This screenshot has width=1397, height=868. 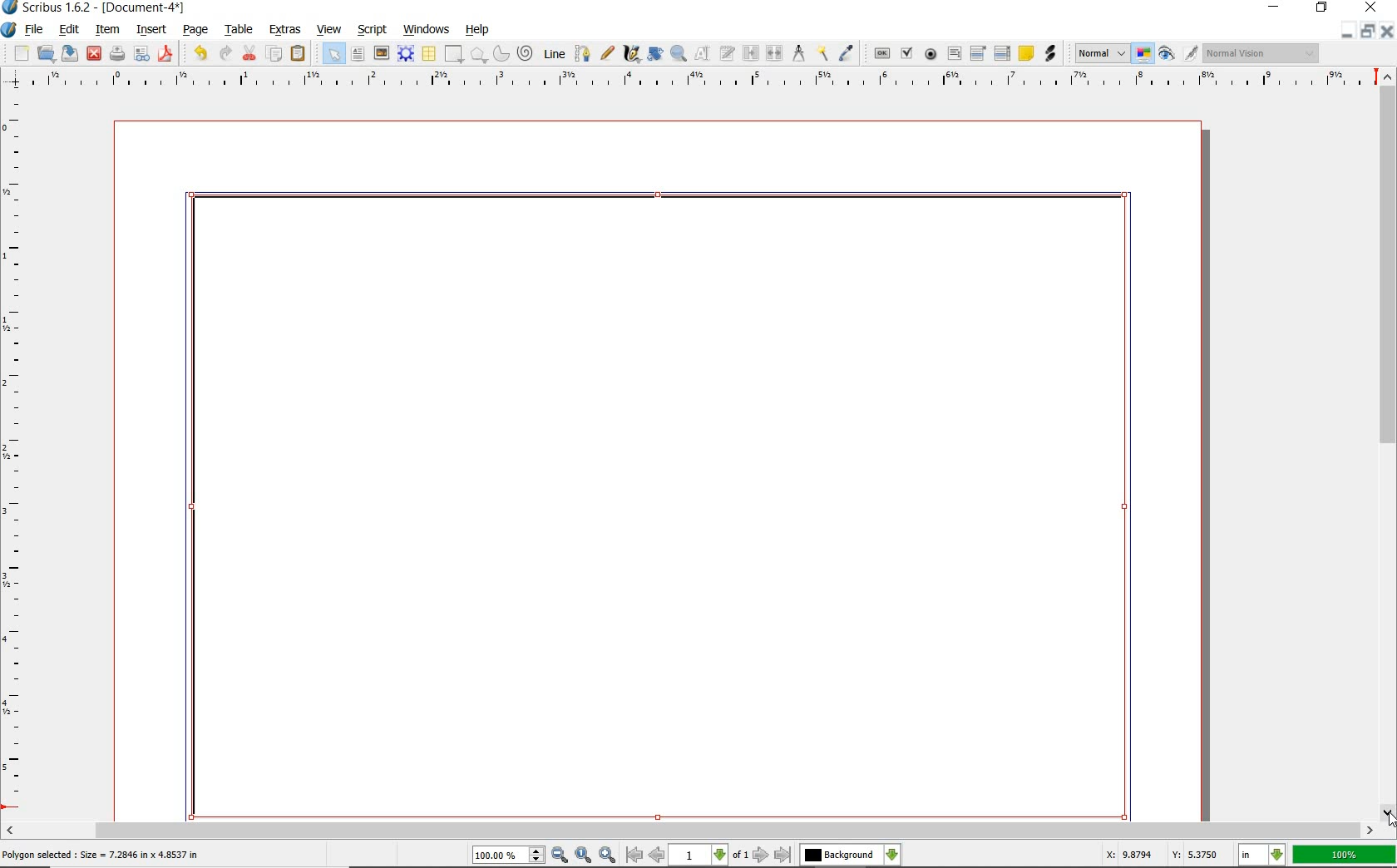 I want to click on paste, so click(x=298, y=54).